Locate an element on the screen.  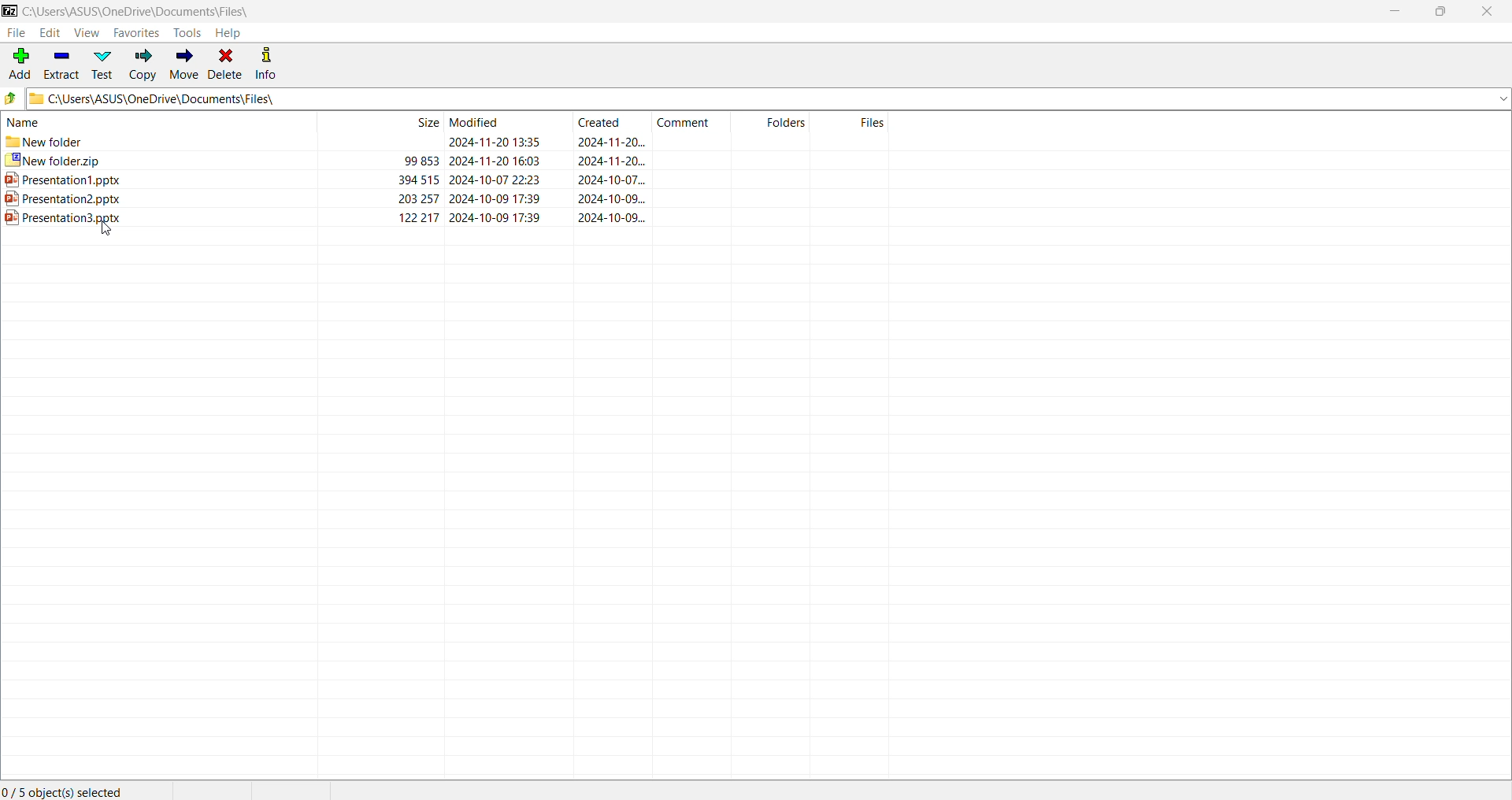
zip folder is located at coordinates (446, 161).